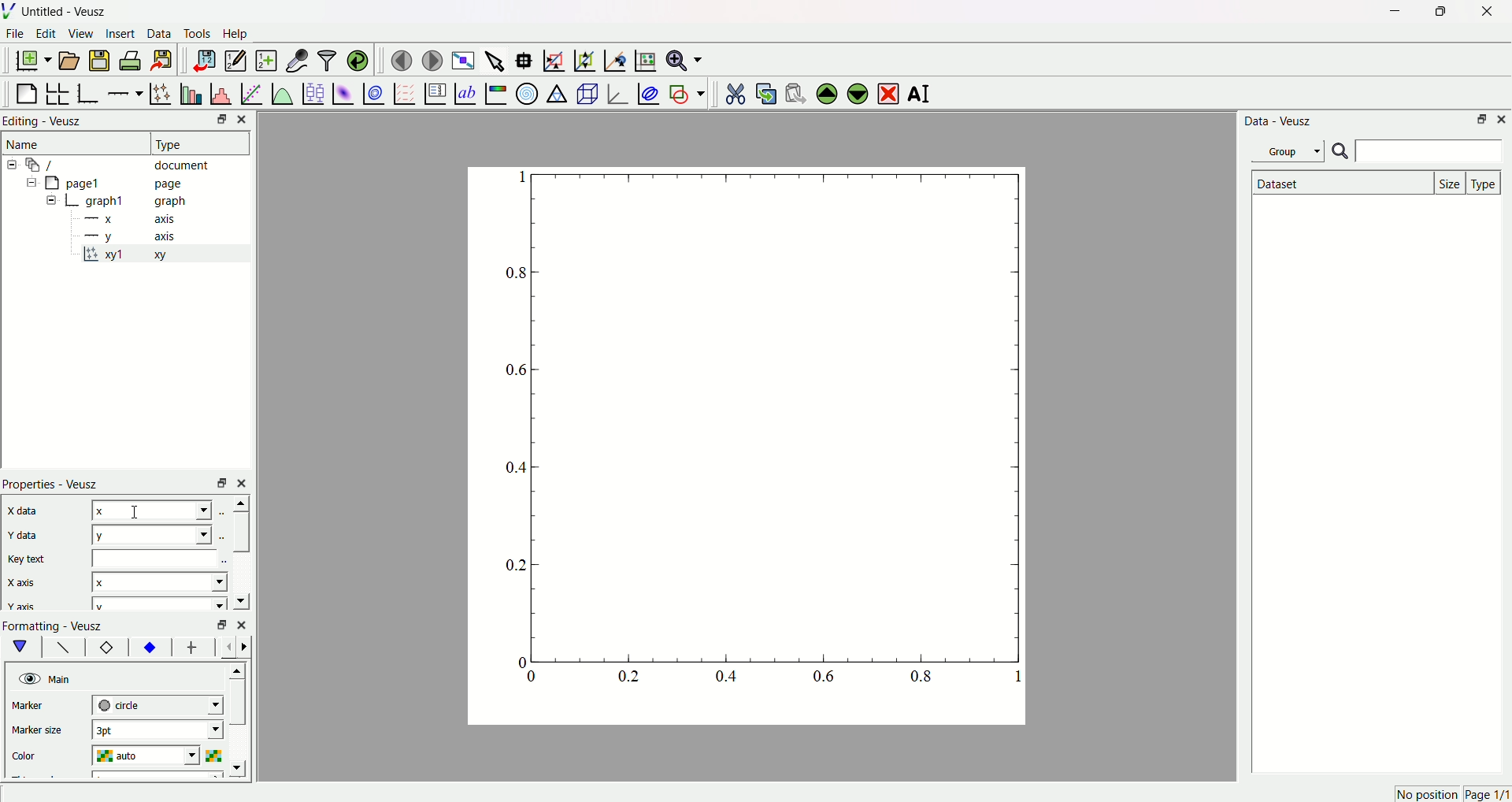  I want to click on close, so click(242, 623).